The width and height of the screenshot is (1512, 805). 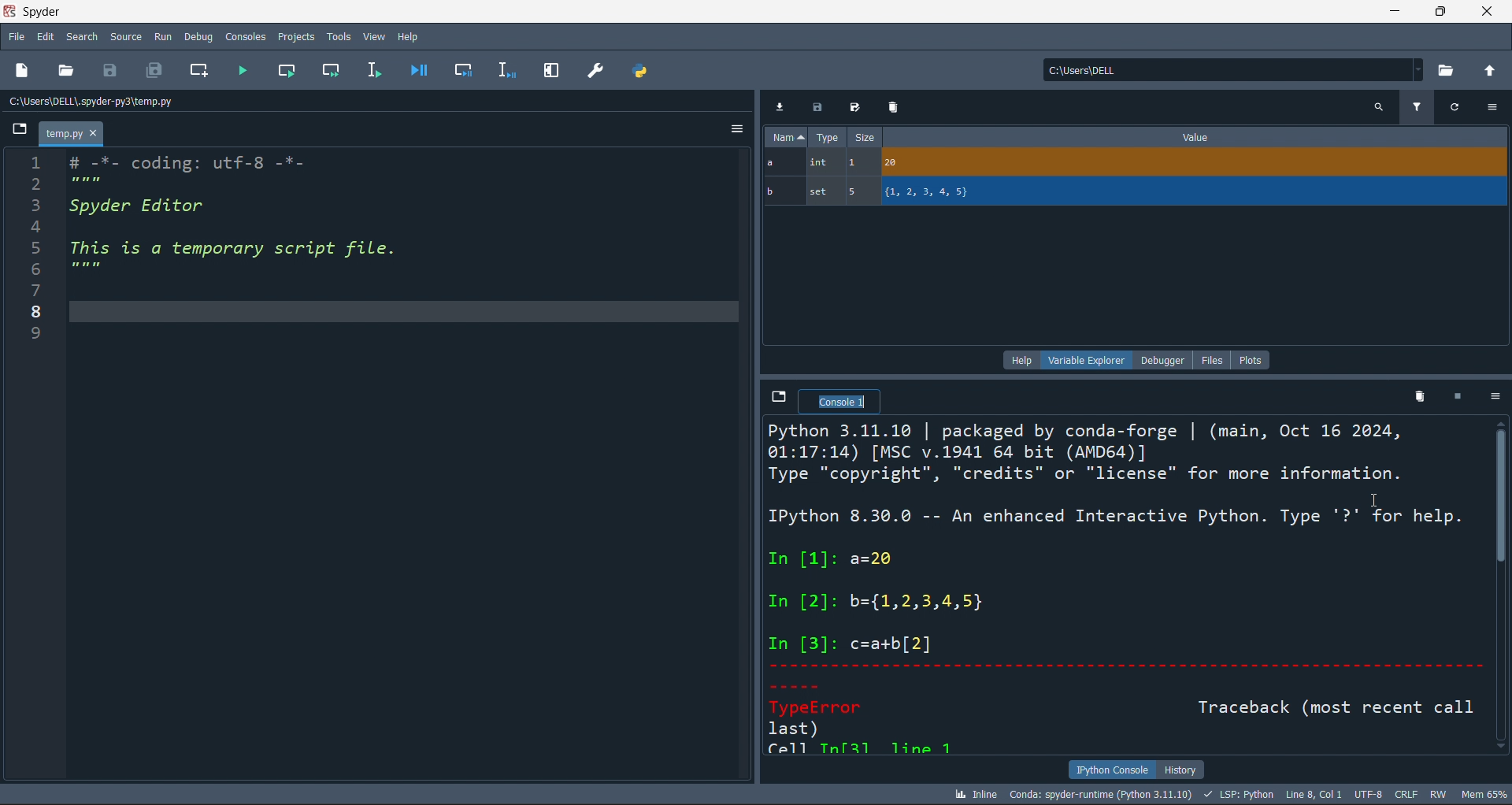 What do you see at coordinates (243, 73) in the screenshot?
I see `run file` at bounding box center [243, 73].